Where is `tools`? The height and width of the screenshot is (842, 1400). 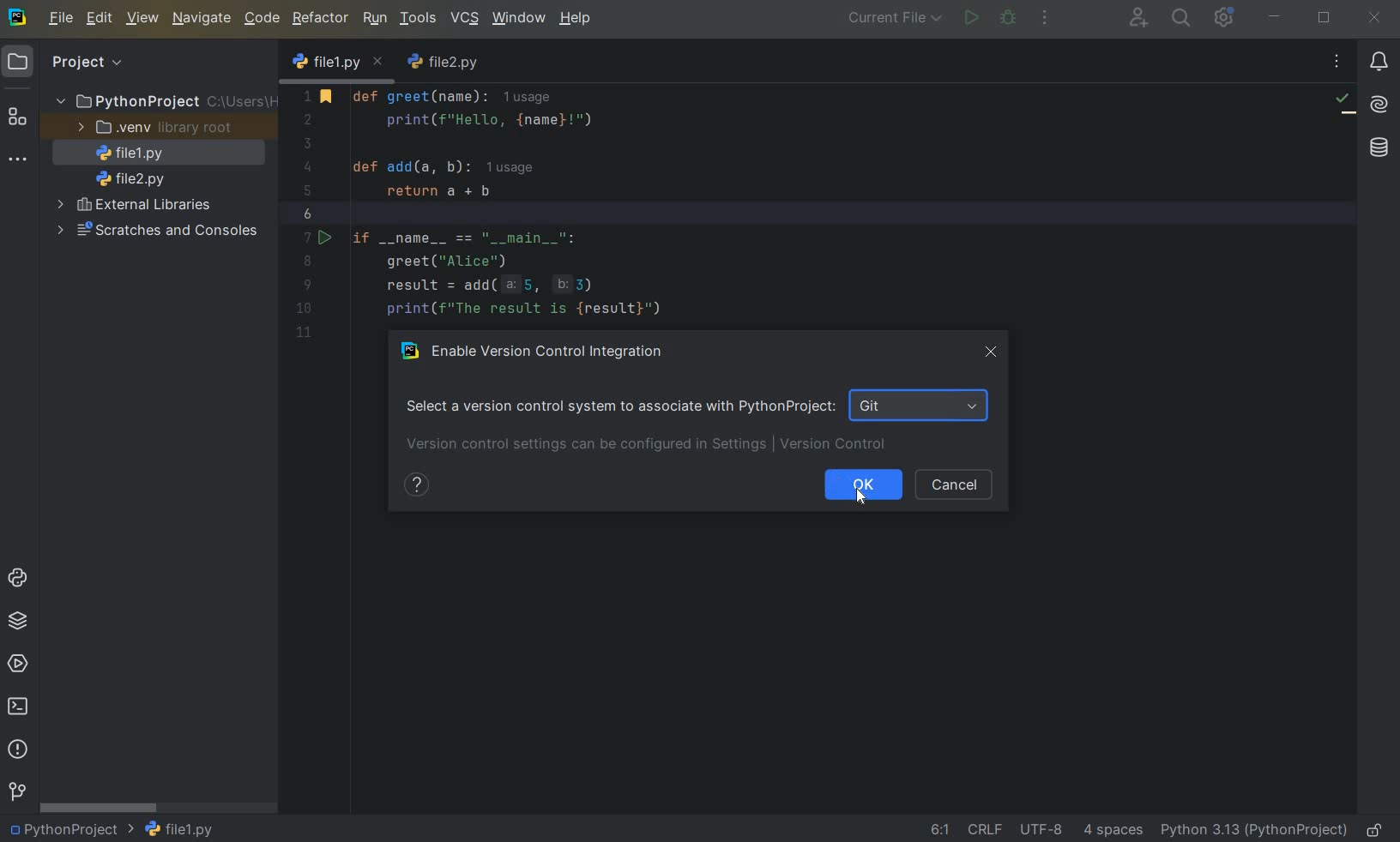
tools is located at coordinates (418, 20).